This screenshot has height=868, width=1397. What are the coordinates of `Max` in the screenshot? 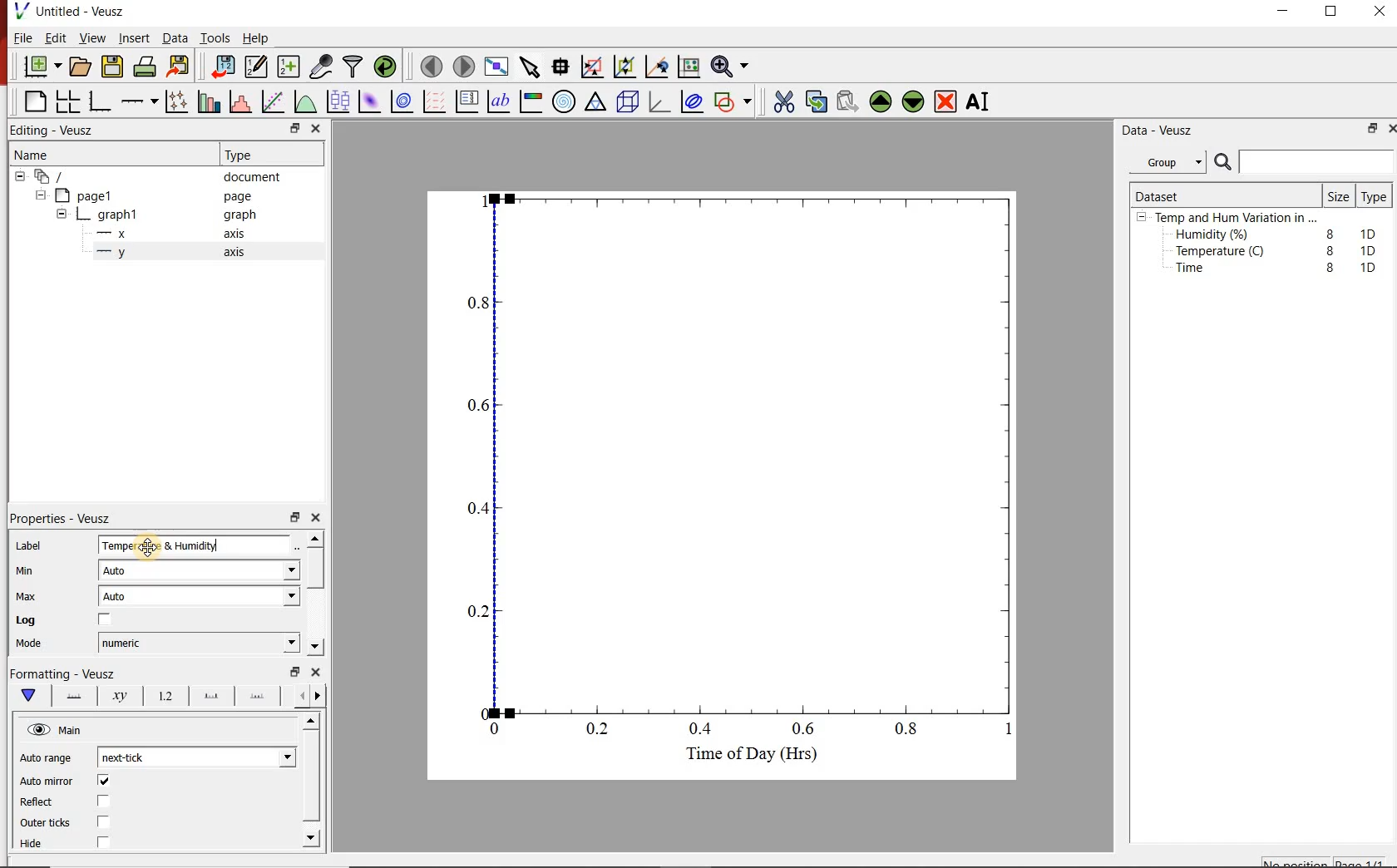 It's located at (35, 596).